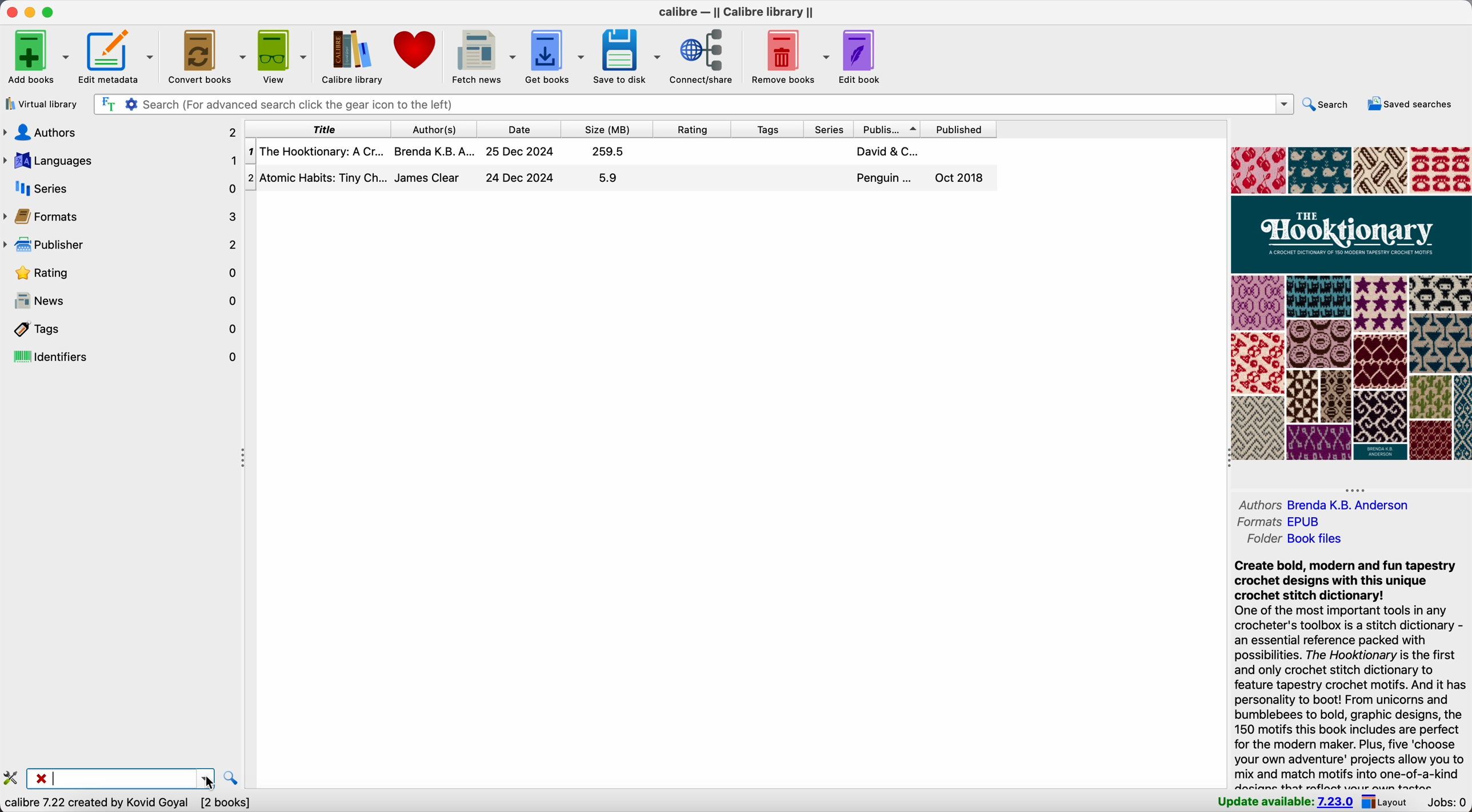  Describe the element at coordinates (121, 188) in the screenshot. I see `series` at that location.